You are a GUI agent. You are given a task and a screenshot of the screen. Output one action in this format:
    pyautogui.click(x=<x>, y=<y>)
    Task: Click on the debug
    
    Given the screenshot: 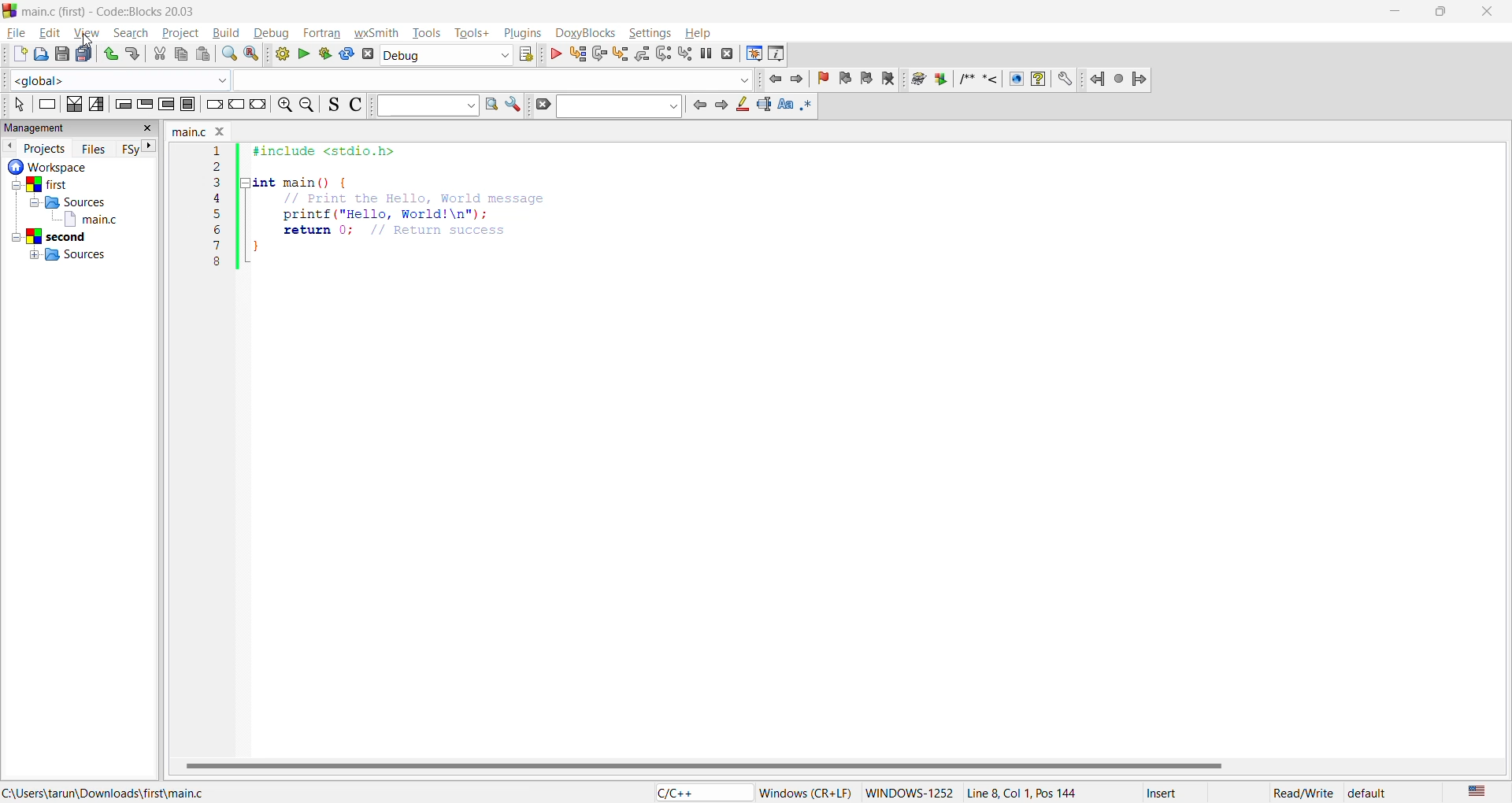 What is the action you would take?
    pyautogui.click(x=273, y=33)
    